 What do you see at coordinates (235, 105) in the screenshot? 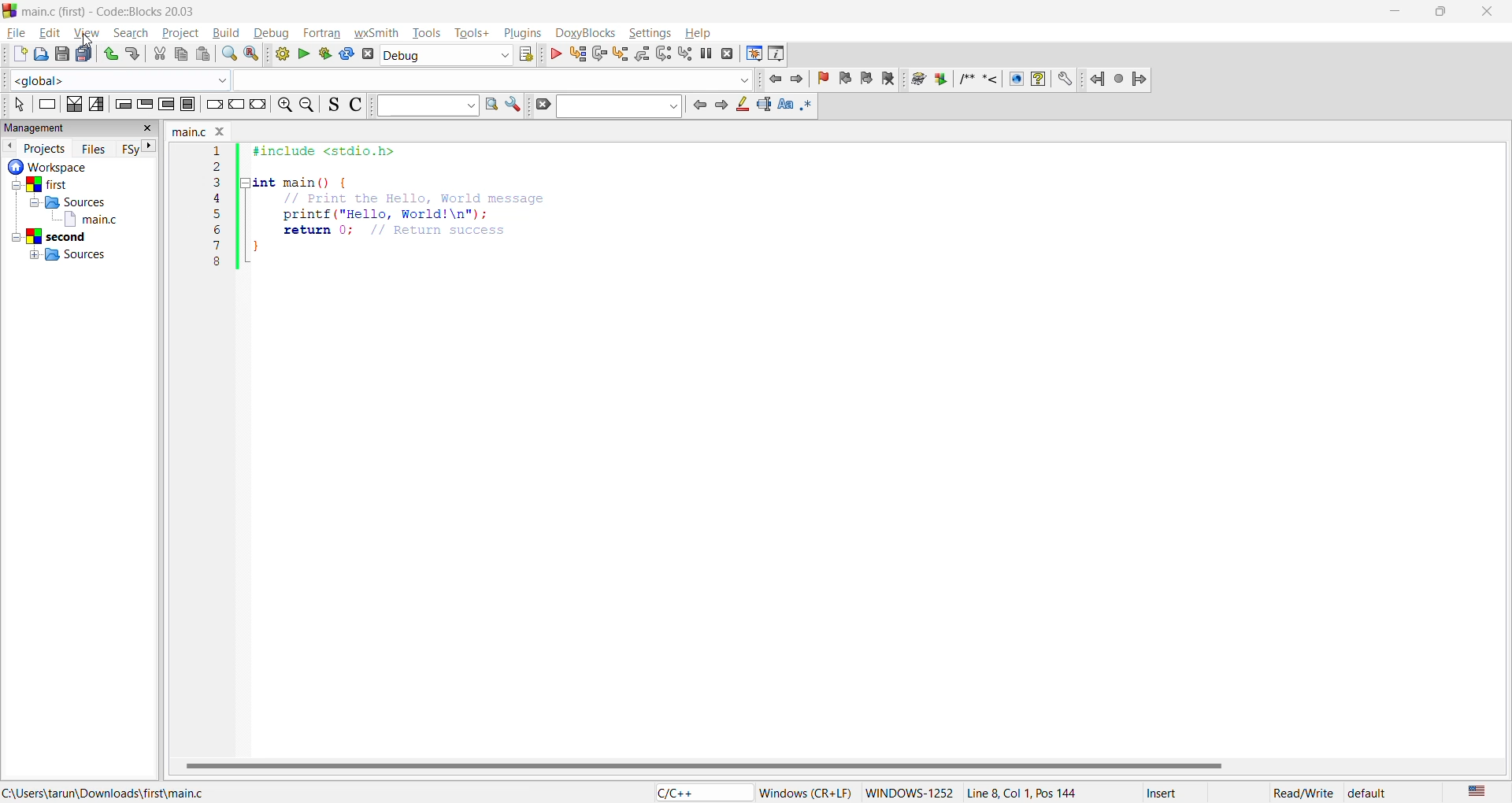
I see `continue instruction` at bounding box center [235, 105].